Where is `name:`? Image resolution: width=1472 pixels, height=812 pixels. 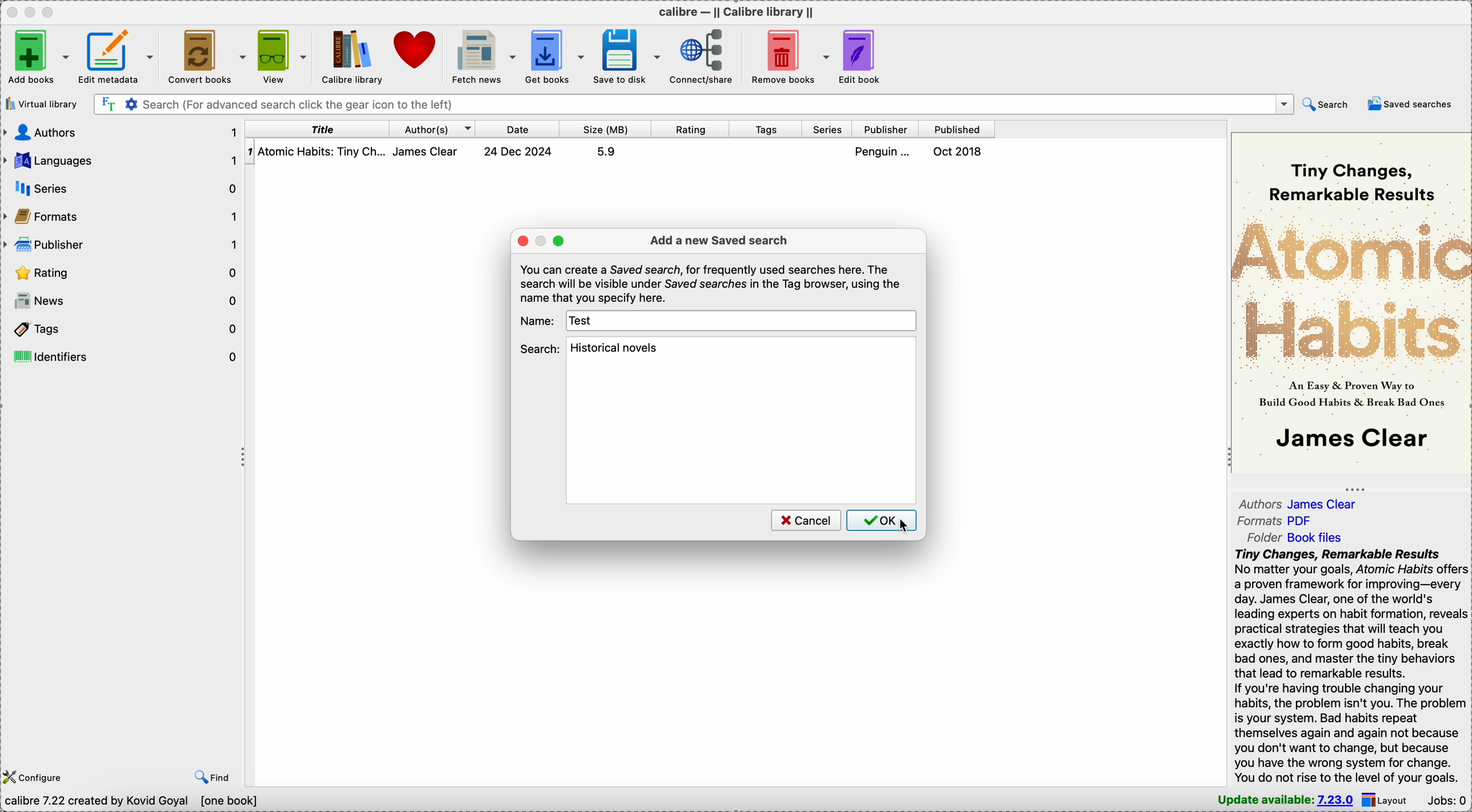 name: is located at coordinates (538, 320).